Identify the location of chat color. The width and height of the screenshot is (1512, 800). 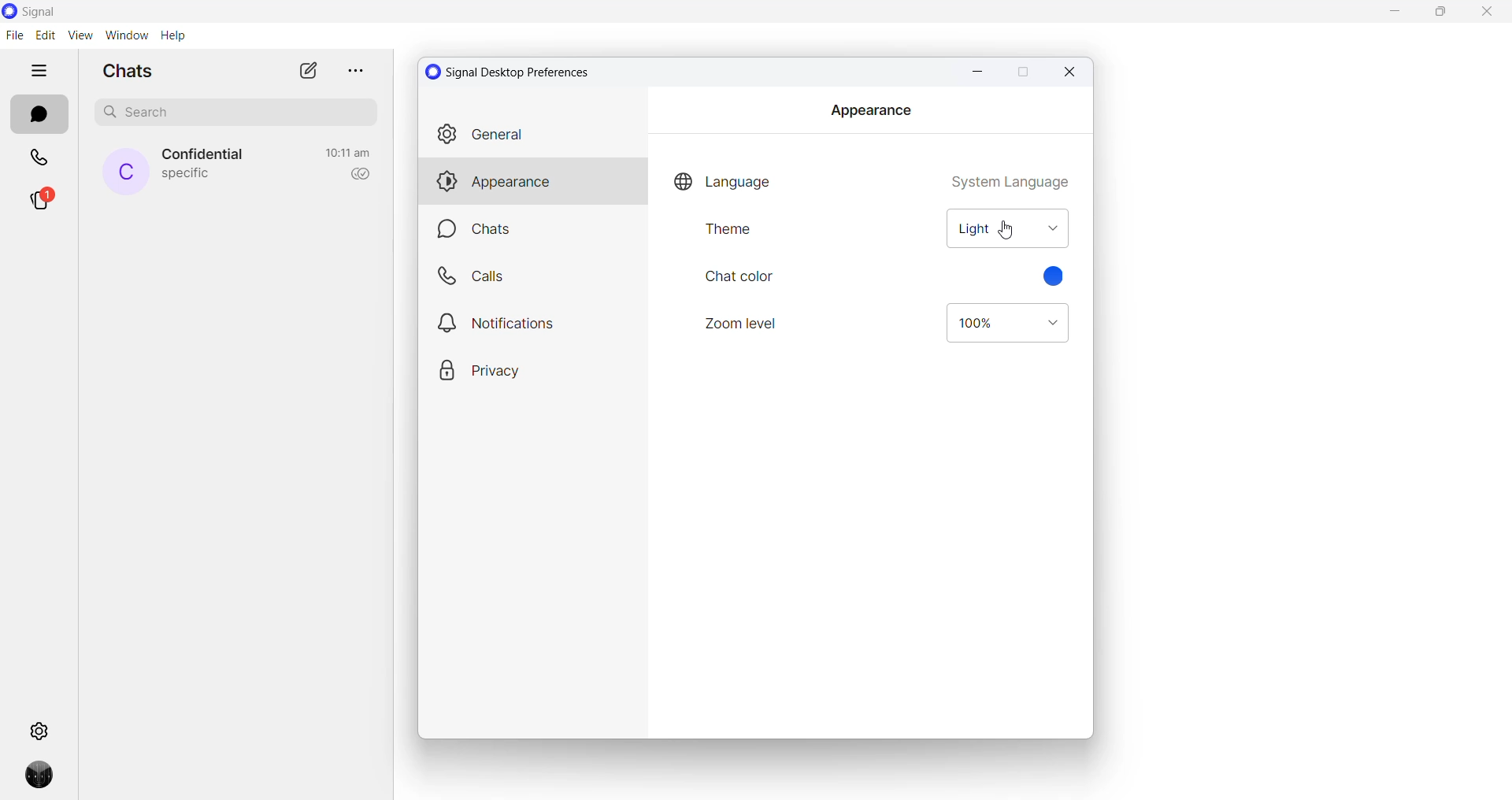
(740, 278).